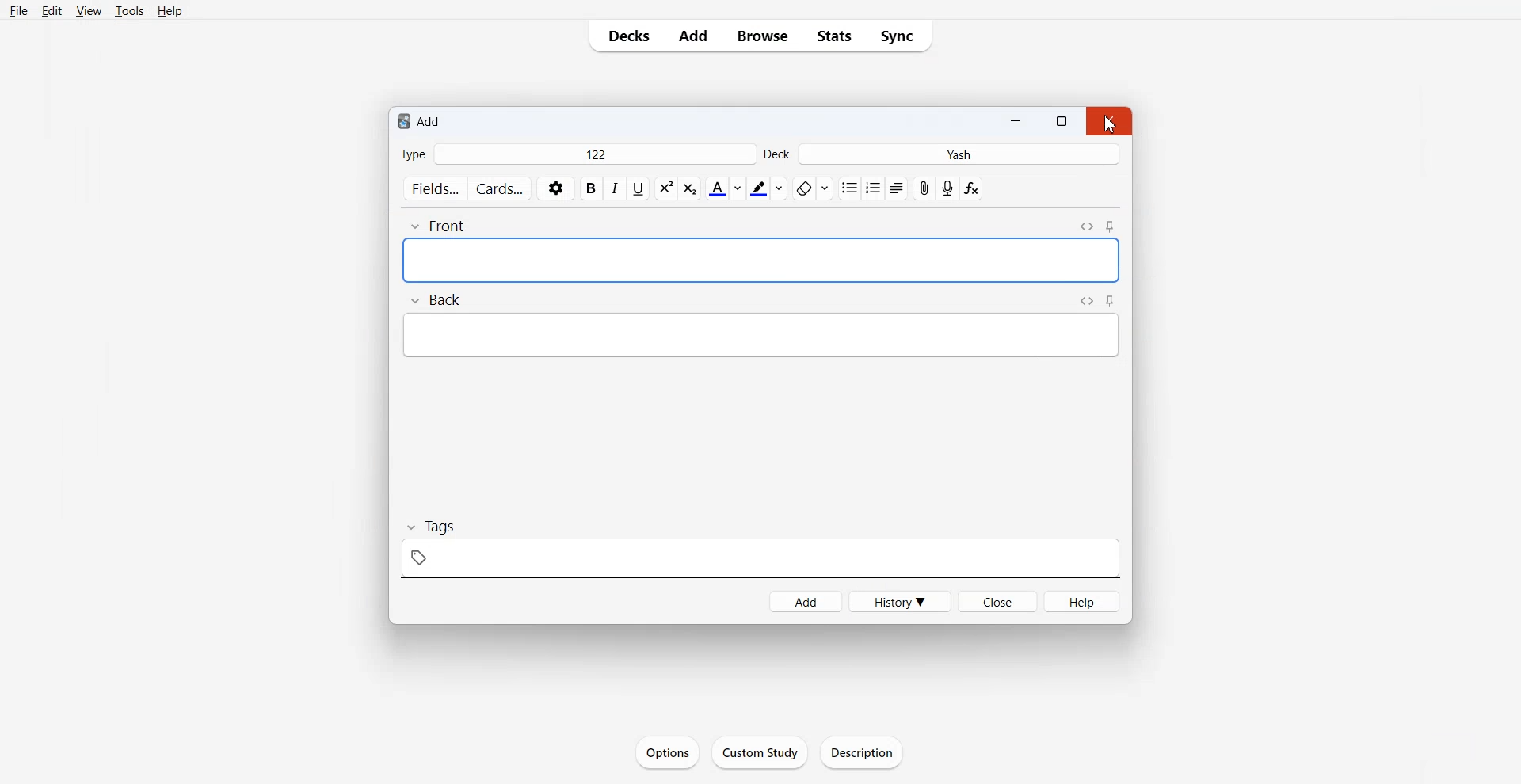 The image size is (1521, 784). What do you see at coordinates (759, 560) in the screenshot?
I see `tags space` at bounding box center [759, 560].